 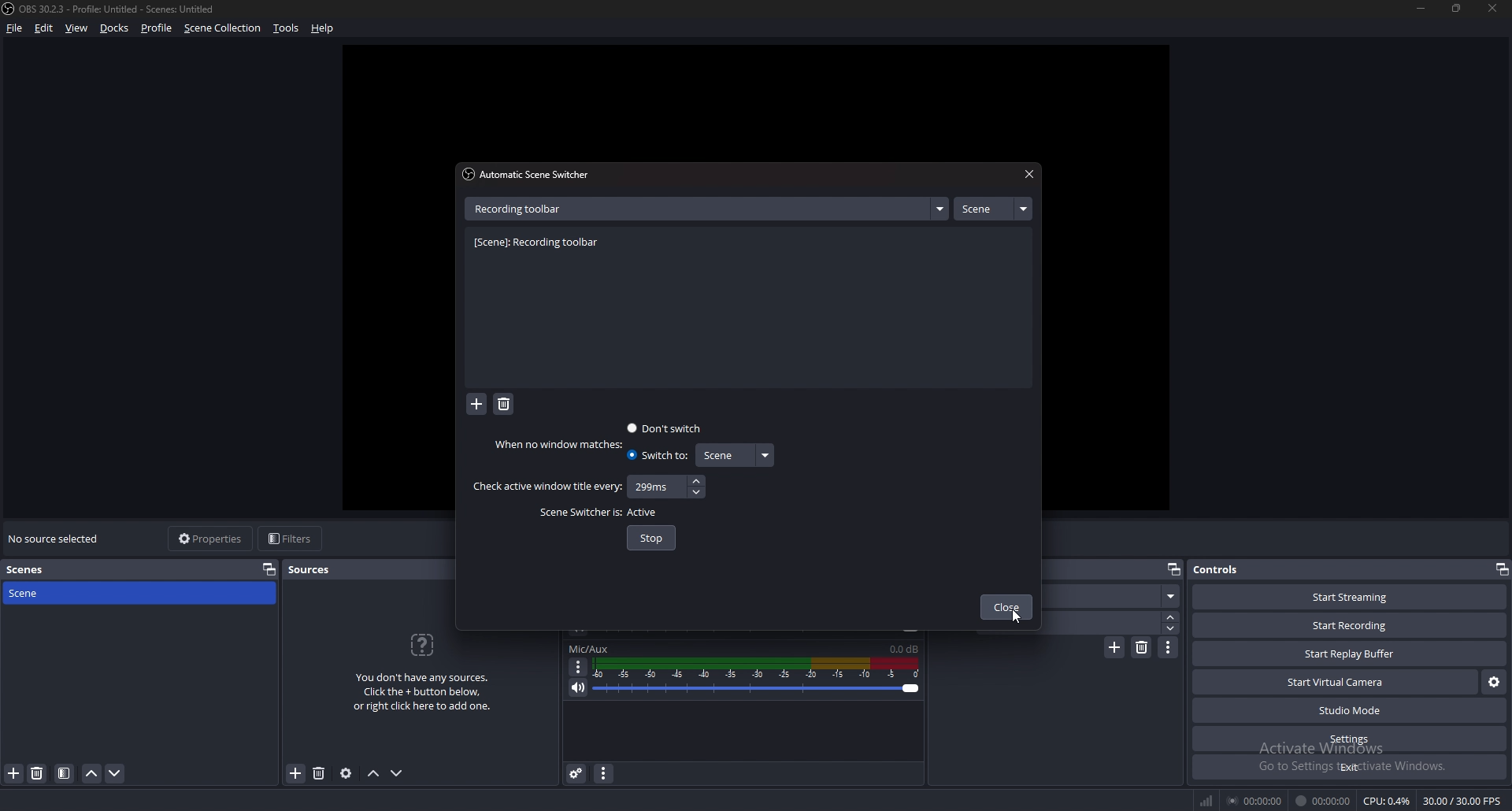 What do you see at coordinates (42, 592) in the screenshot?
I see `scene` at bounding box center [42, 592].